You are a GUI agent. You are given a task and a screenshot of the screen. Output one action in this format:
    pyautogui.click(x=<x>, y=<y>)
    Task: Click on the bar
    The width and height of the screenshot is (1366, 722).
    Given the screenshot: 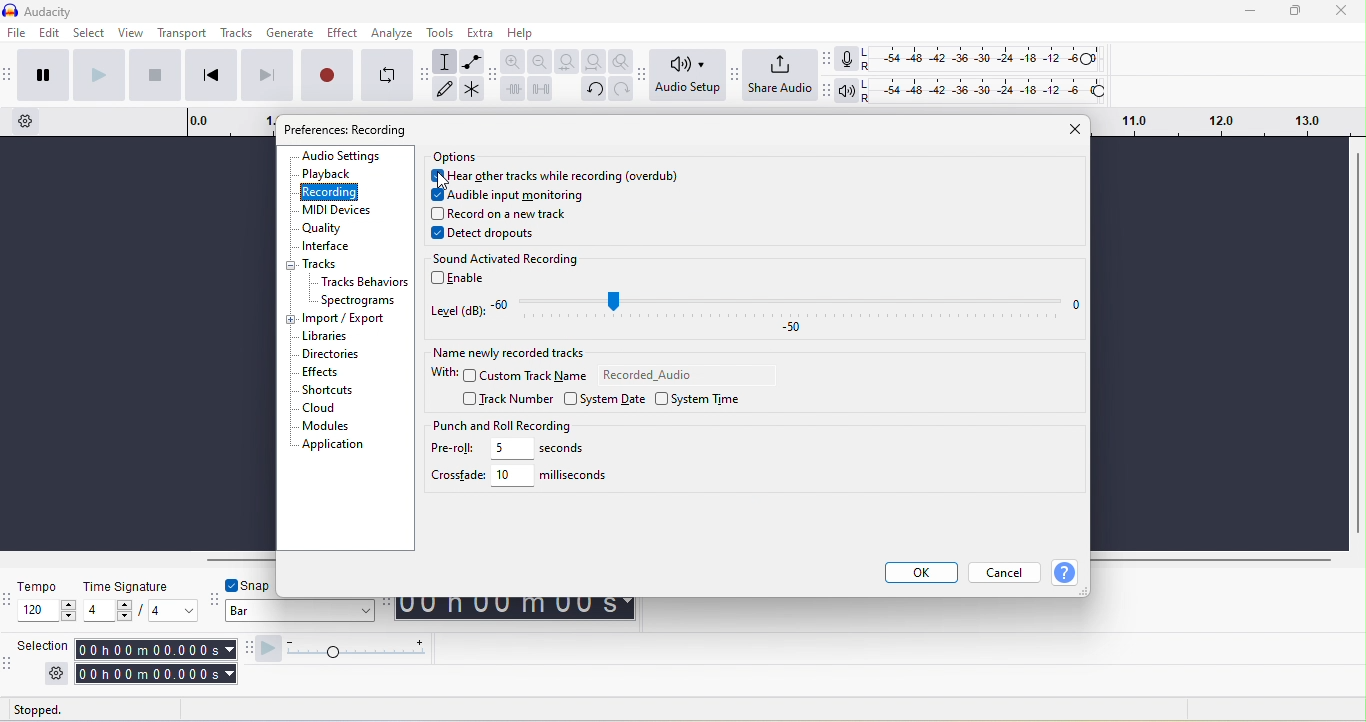 What is the action you would take?
    pyautogui.click(x=307, y=613)
    